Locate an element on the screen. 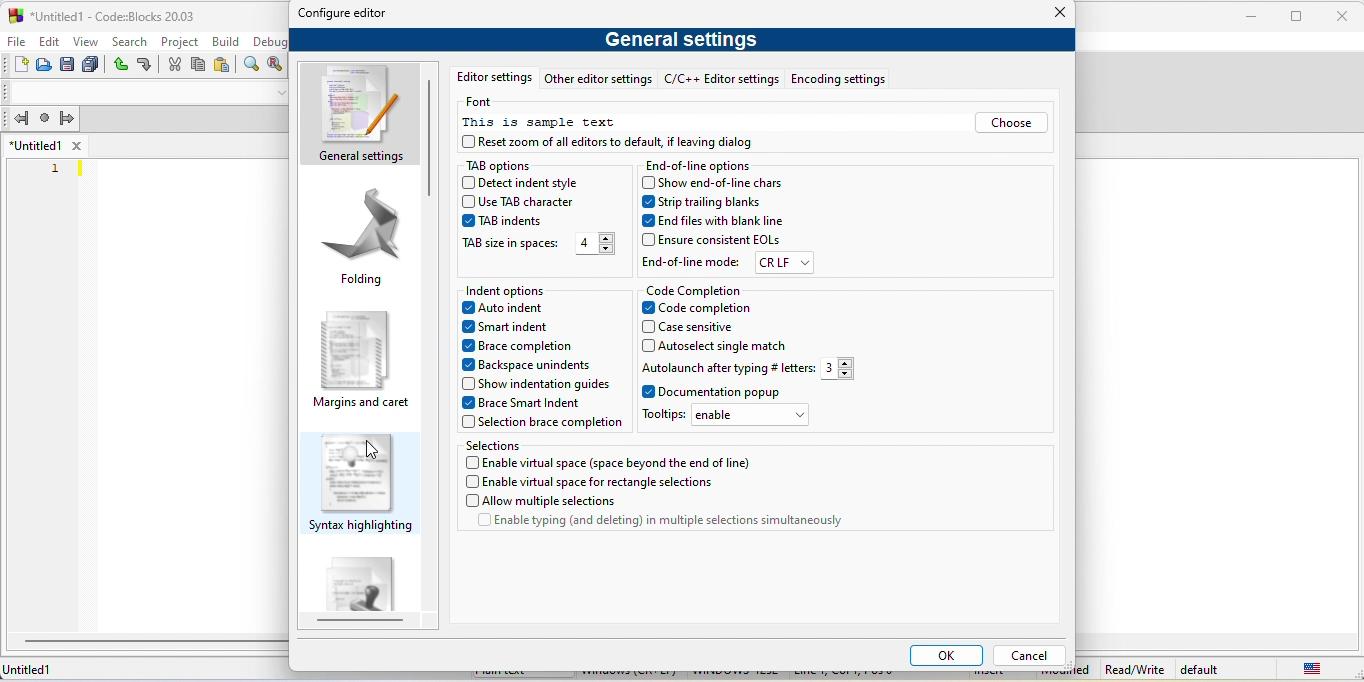  replace is located at coordinates (274, 63).